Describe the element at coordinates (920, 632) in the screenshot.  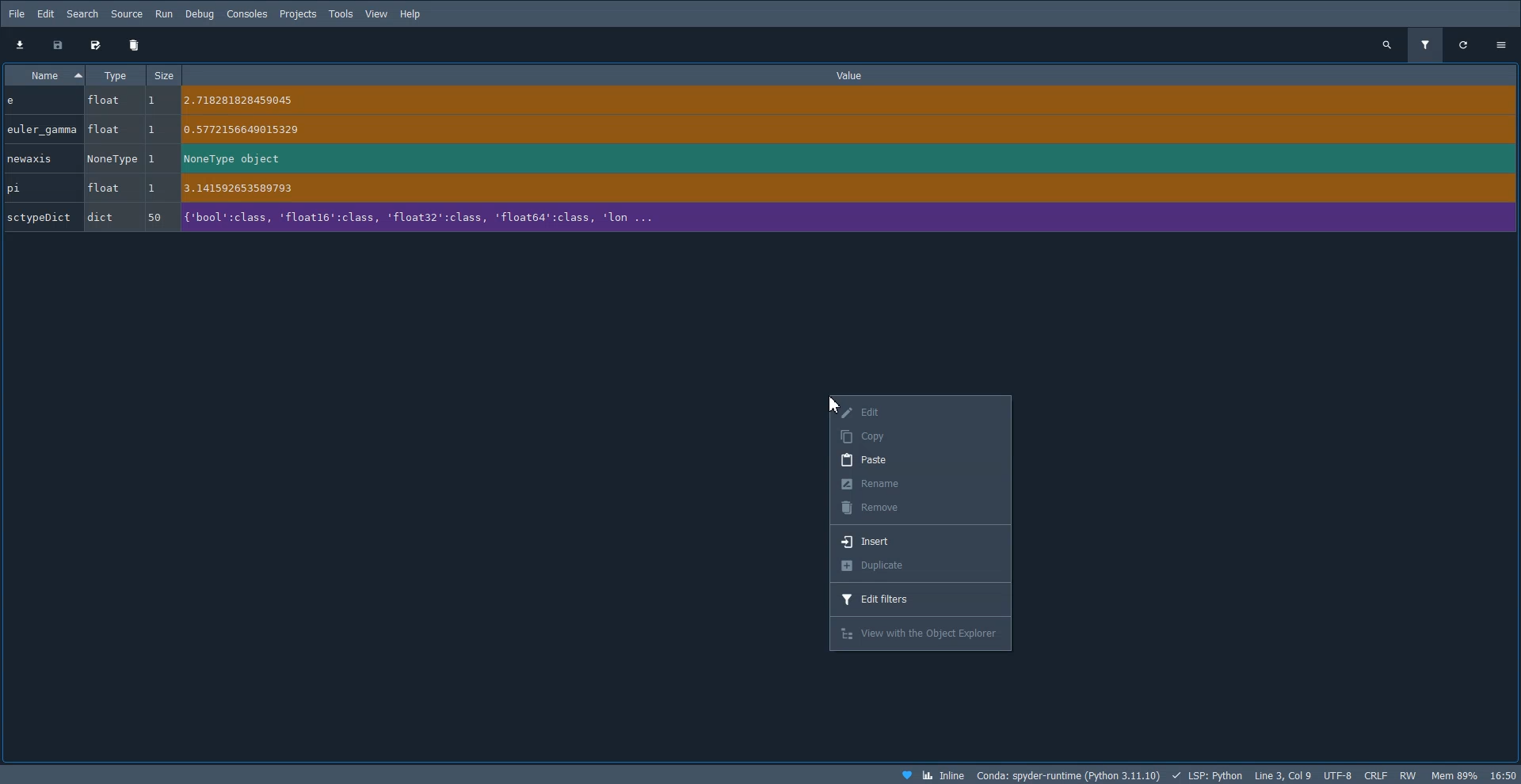
I see `View with the cyber explorer` at that location.